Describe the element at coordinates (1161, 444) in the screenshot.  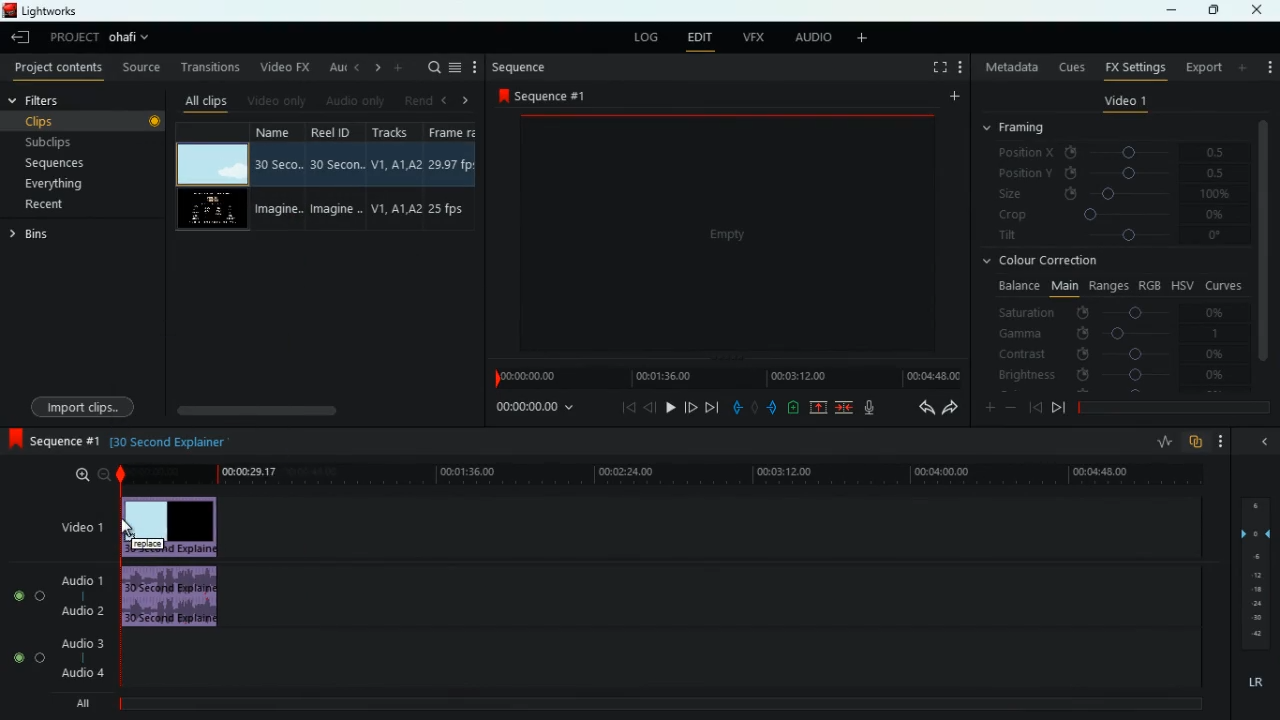
I see `rate` at that location.